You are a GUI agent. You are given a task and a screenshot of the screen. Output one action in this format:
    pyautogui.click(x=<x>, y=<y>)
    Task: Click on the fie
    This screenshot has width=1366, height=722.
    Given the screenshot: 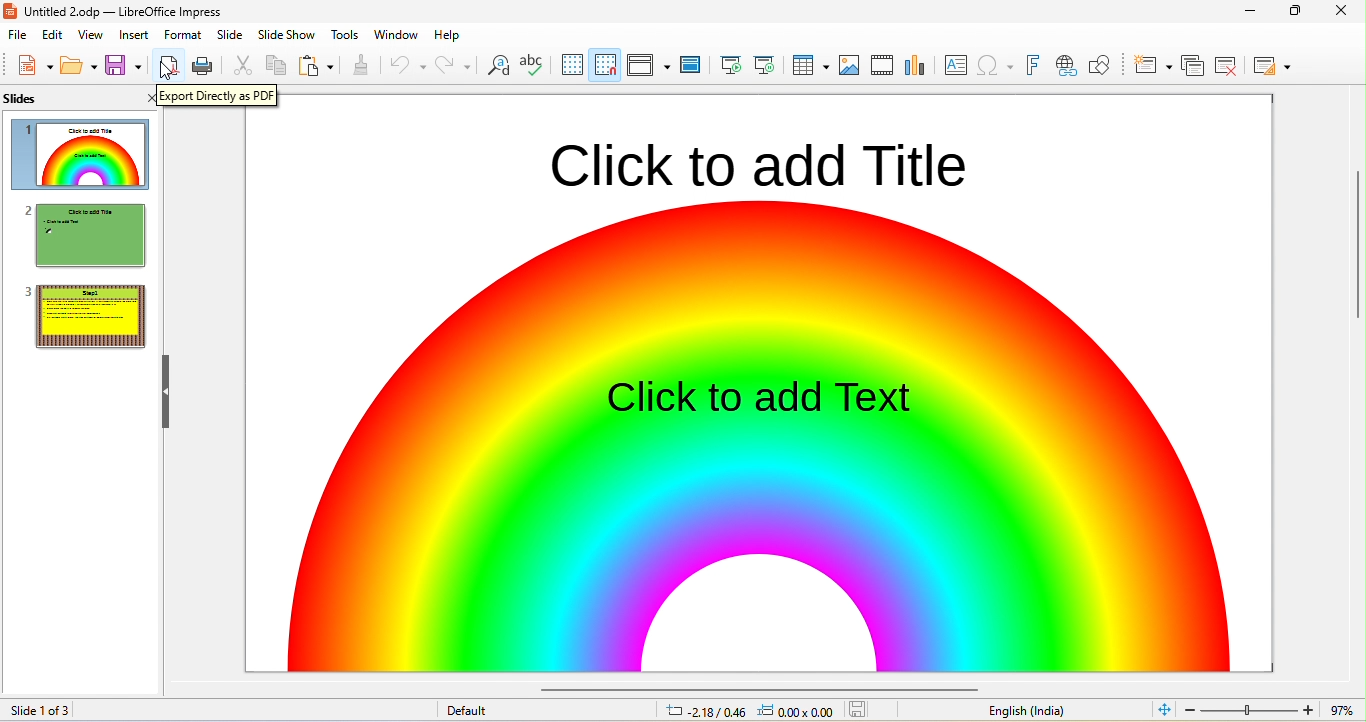 What is the action you would take?
    pyautogui.click(x=18, y=35)
    